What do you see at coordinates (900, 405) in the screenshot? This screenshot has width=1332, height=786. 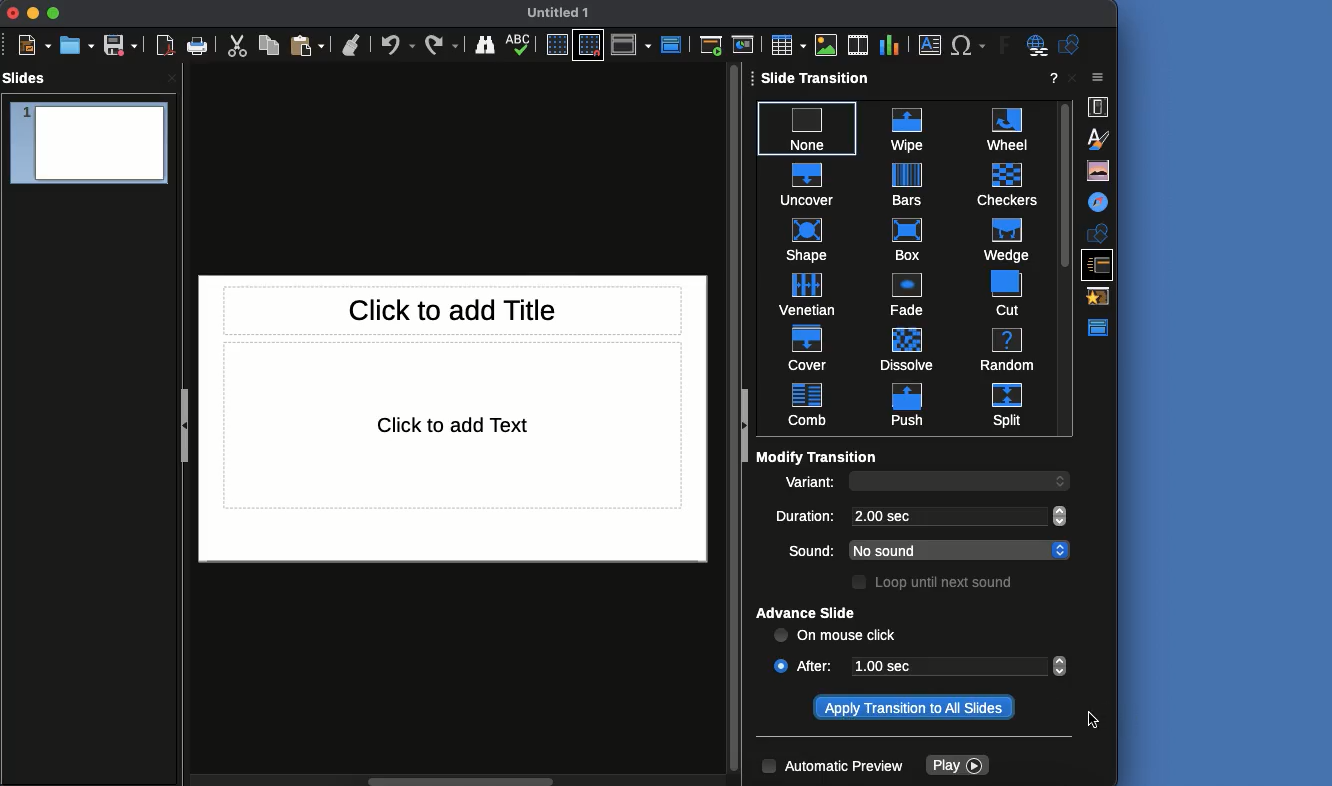 I see `push` at bounding box center [900, 405].